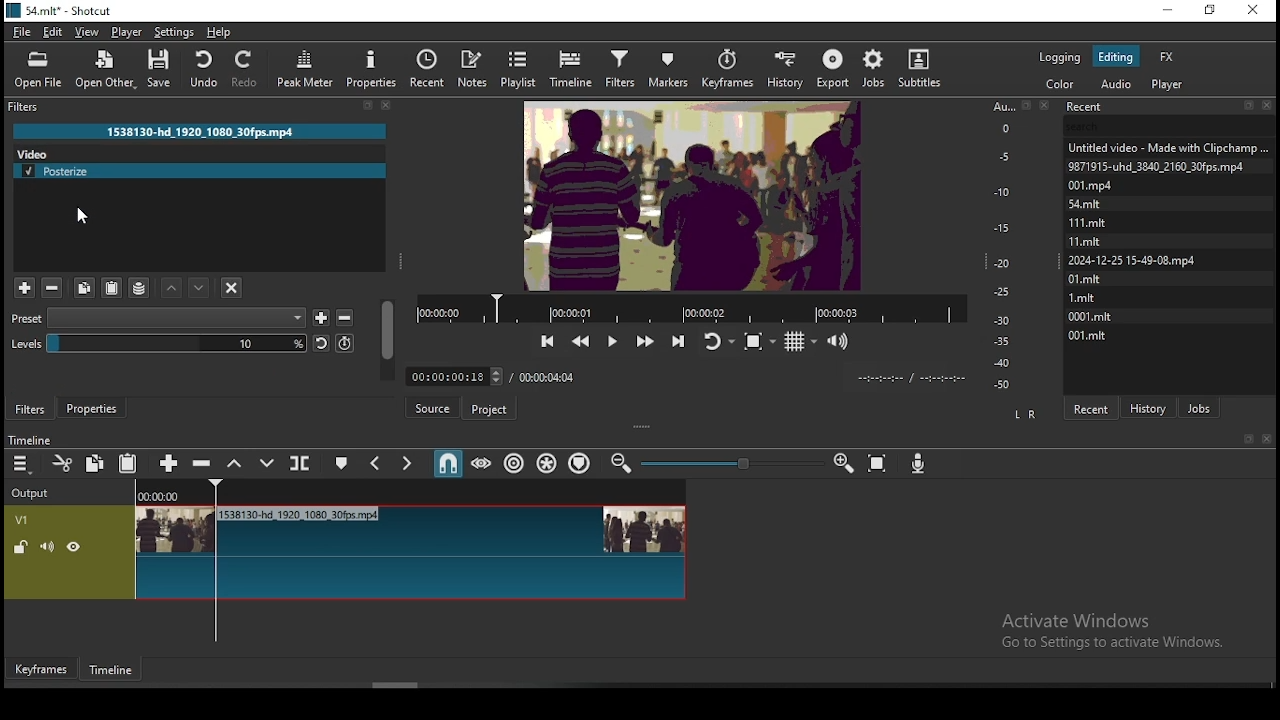  I want to click on record audio, so click(919, 460).